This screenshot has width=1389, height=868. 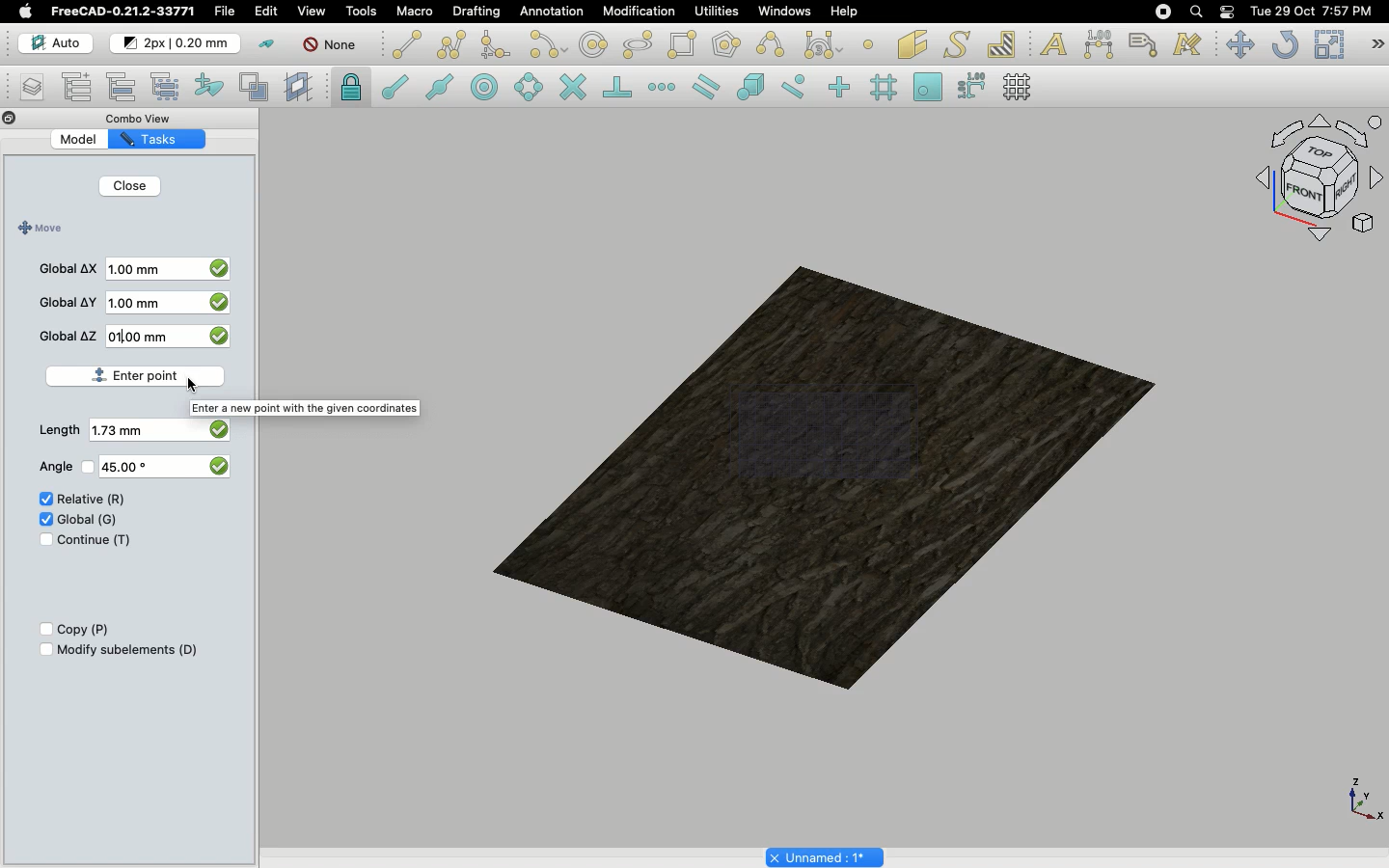 What do you see at coordinates (167, 85) in the screenshot?
I see `Select group` at bounding box center [167, 85].